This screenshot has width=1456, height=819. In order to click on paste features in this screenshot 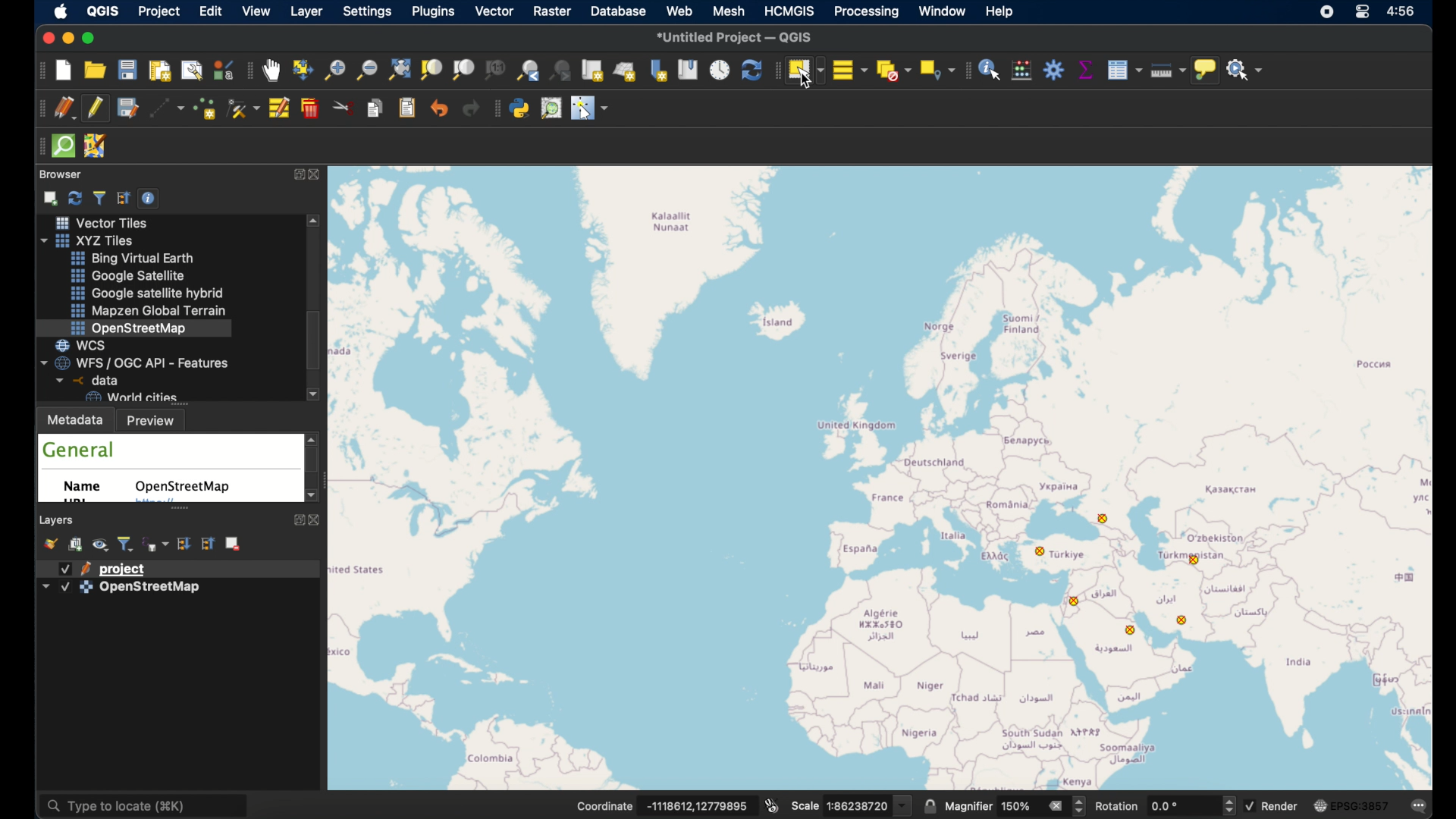, I will do `click(409, 109)`.